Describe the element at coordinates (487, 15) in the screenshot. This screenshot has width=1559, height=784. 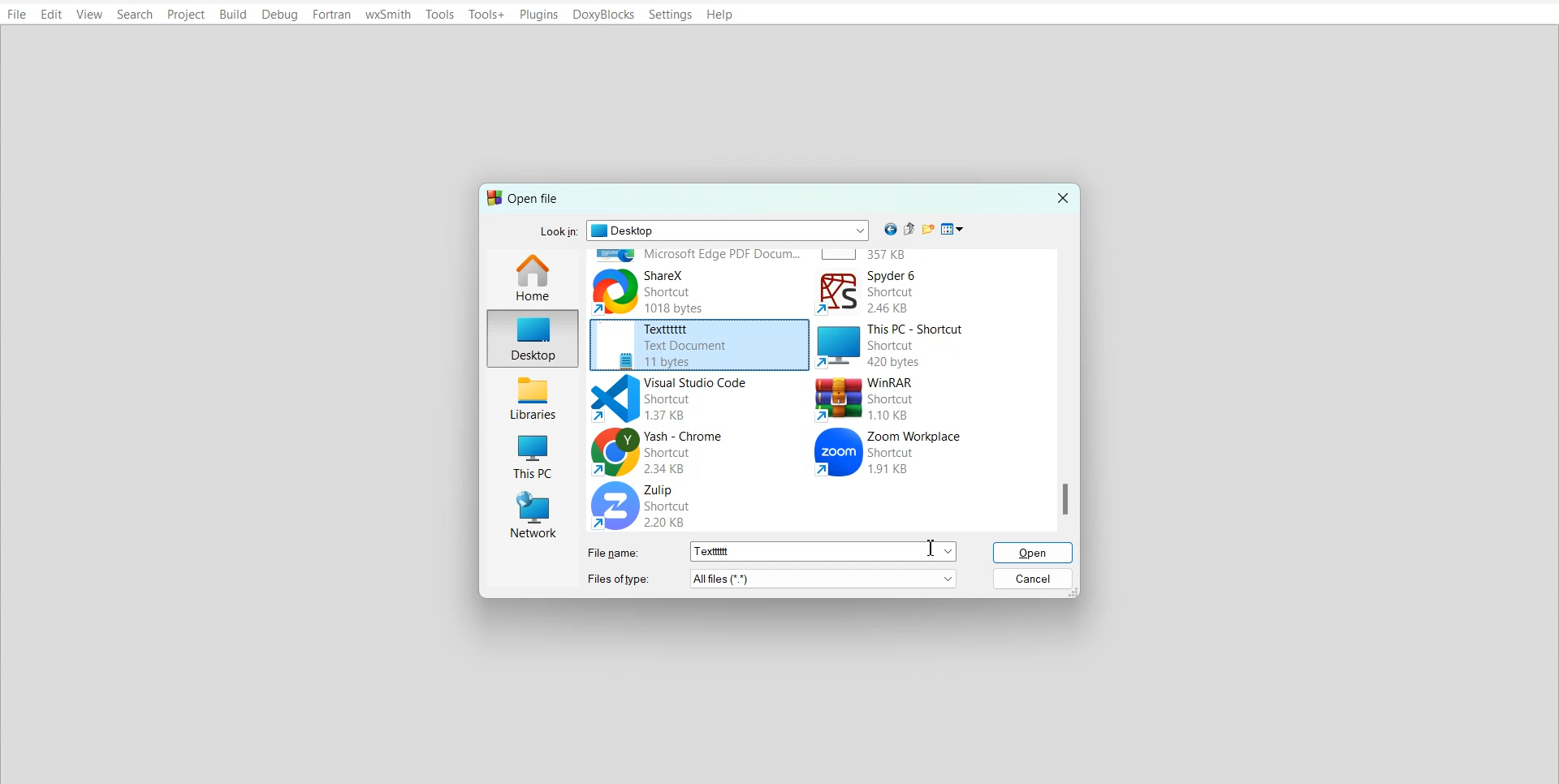
I see `Tools+` at that location.